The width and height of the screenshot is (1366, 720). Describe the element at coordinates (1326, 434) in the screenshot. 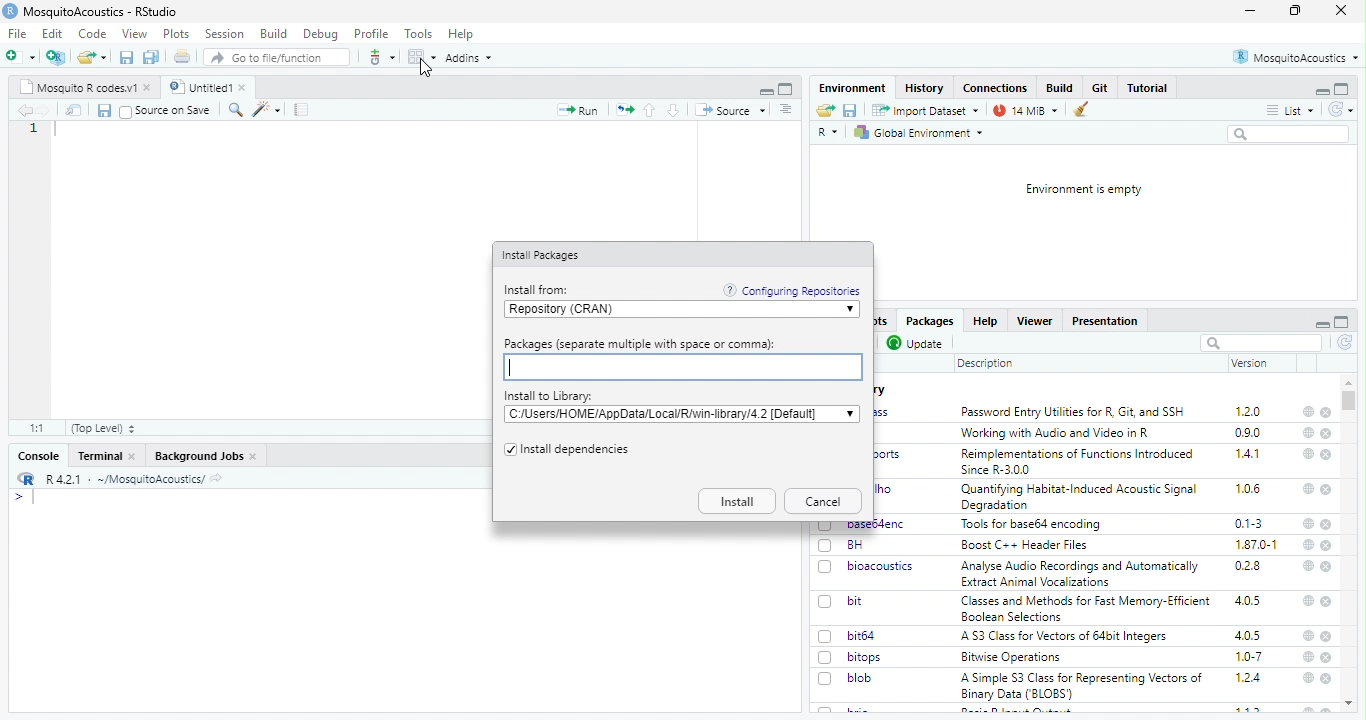

I see `close` at that location.